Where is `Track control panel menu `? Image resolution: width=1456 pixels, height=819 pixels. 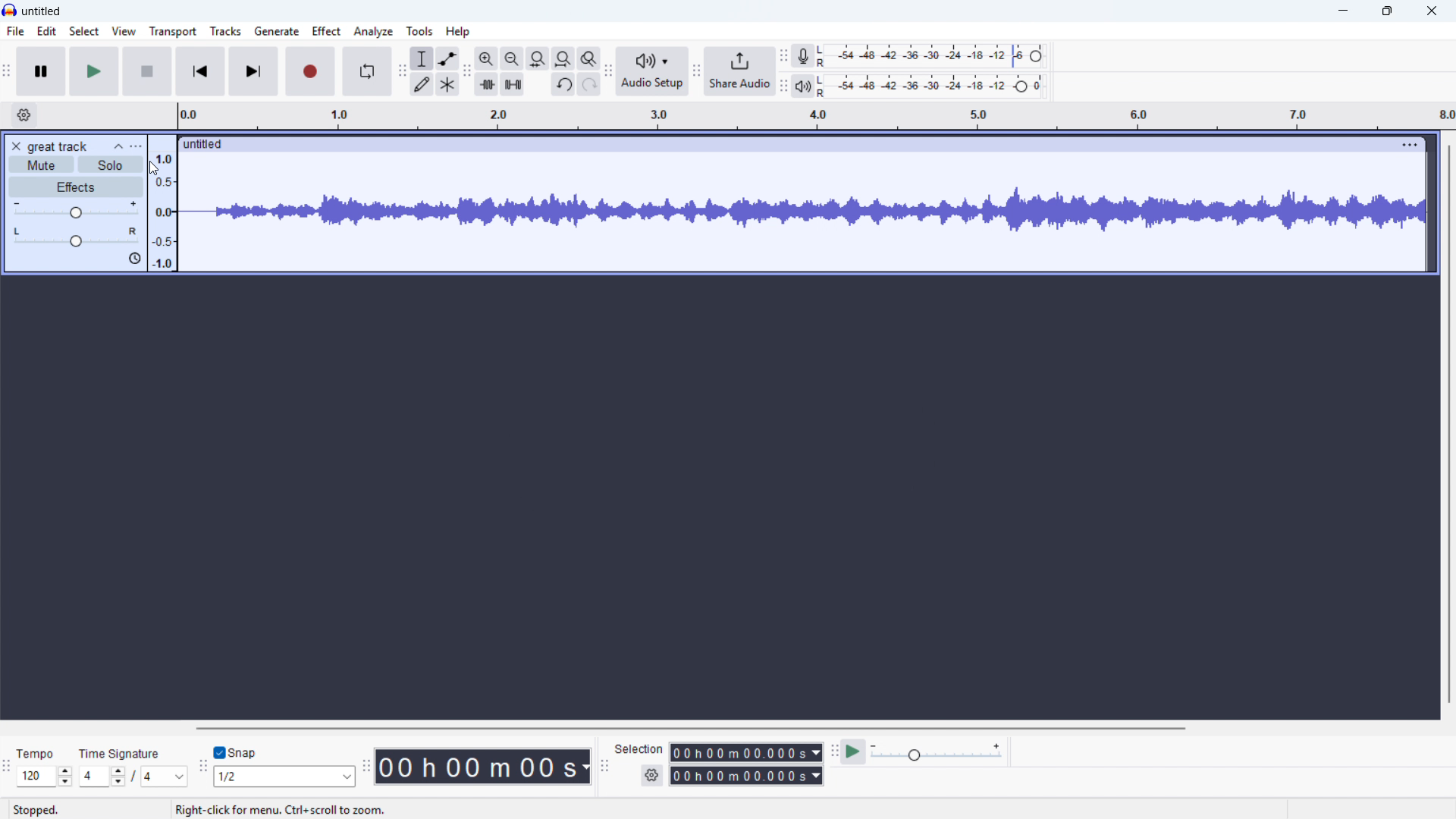
Track control panel menu  is located at coordinates (136, 146).